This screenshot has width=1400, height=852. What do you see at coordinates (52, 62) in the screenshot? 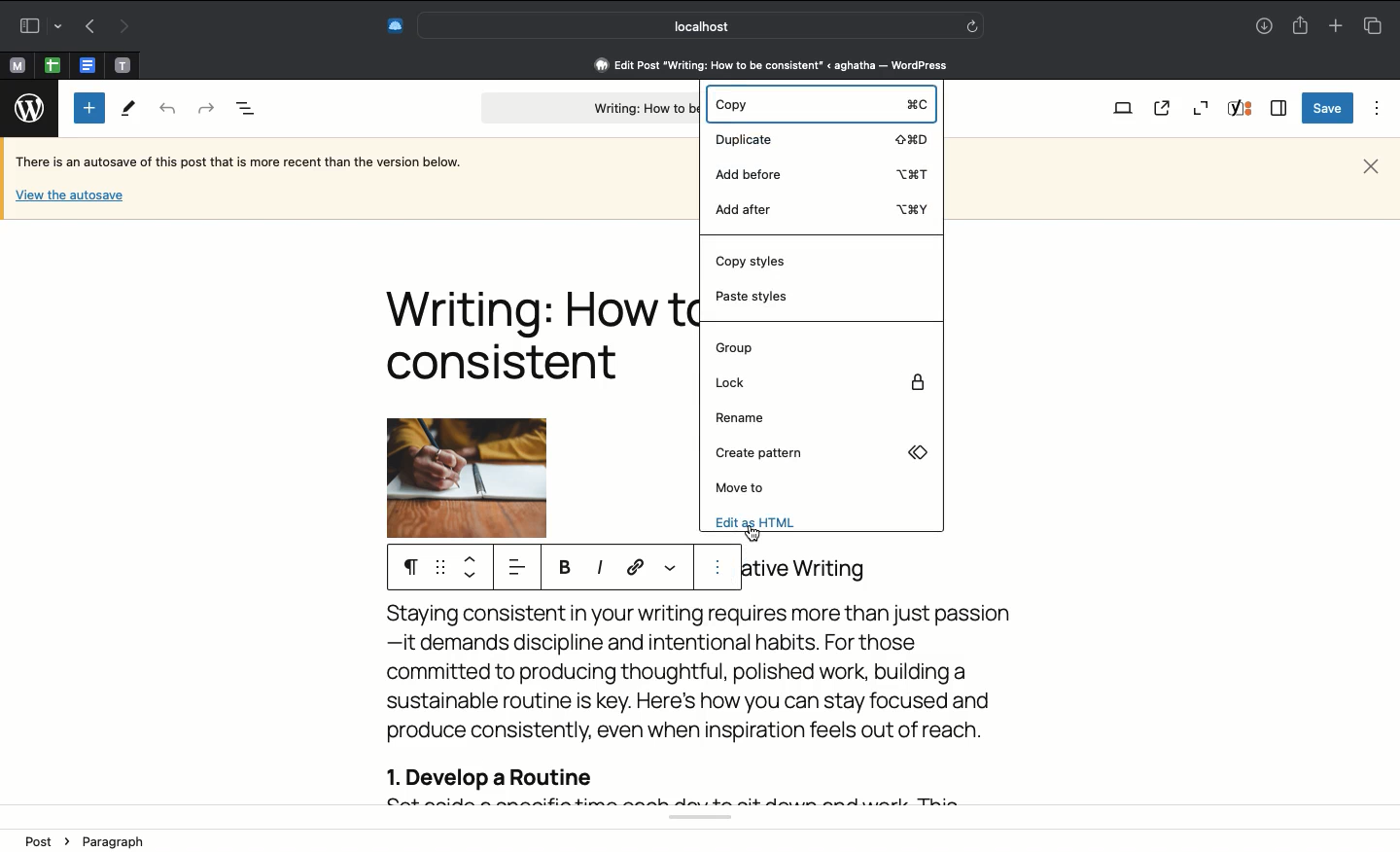
I see `pinned tab, google sheet` at bounding box center [52, 62].